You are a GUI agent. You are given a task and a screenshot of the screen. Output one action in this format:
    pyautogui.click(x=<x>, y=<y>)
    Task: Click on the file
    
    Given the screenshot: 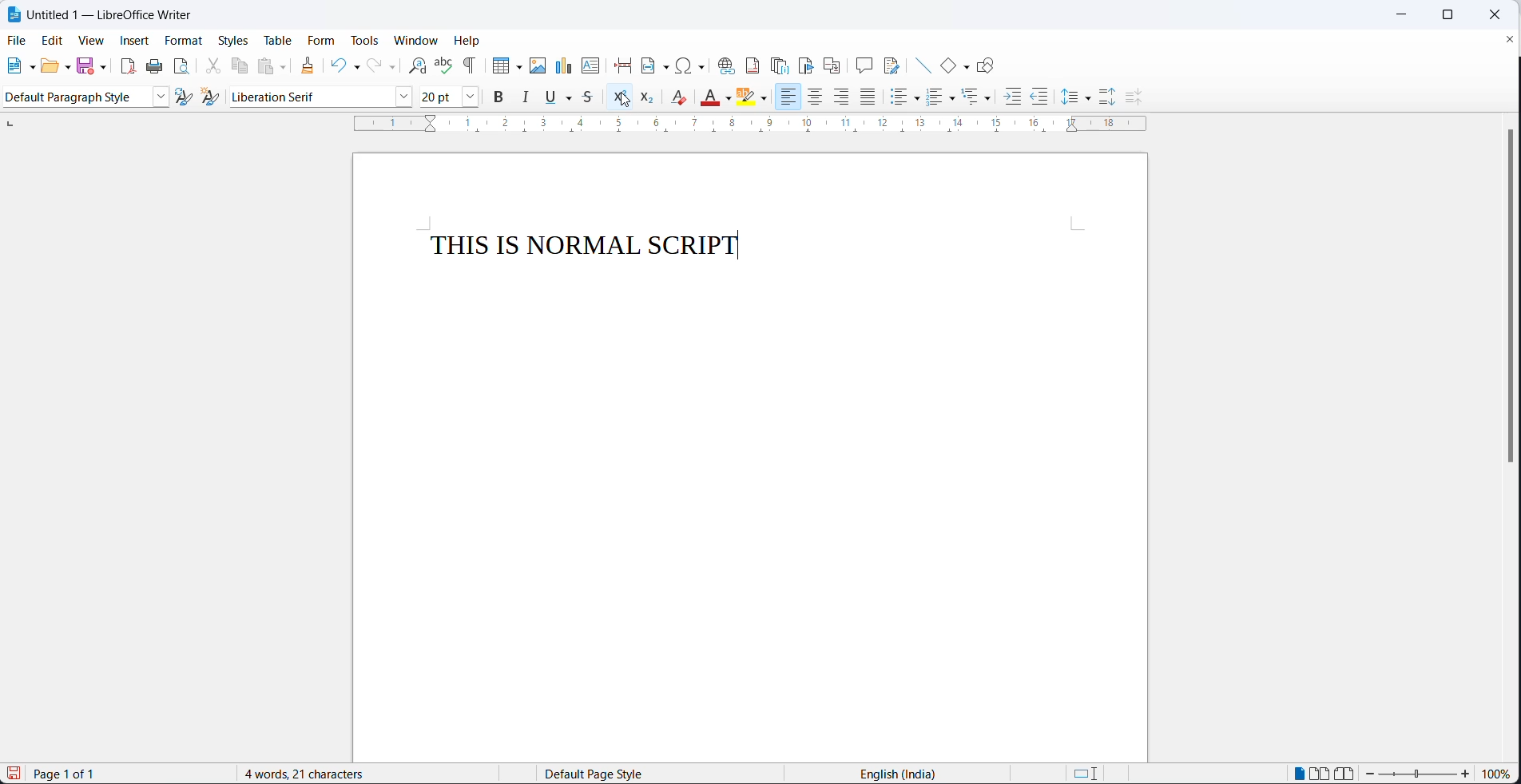 What is the action you would take?
    pyautogui.click(x=18, y=40)
    